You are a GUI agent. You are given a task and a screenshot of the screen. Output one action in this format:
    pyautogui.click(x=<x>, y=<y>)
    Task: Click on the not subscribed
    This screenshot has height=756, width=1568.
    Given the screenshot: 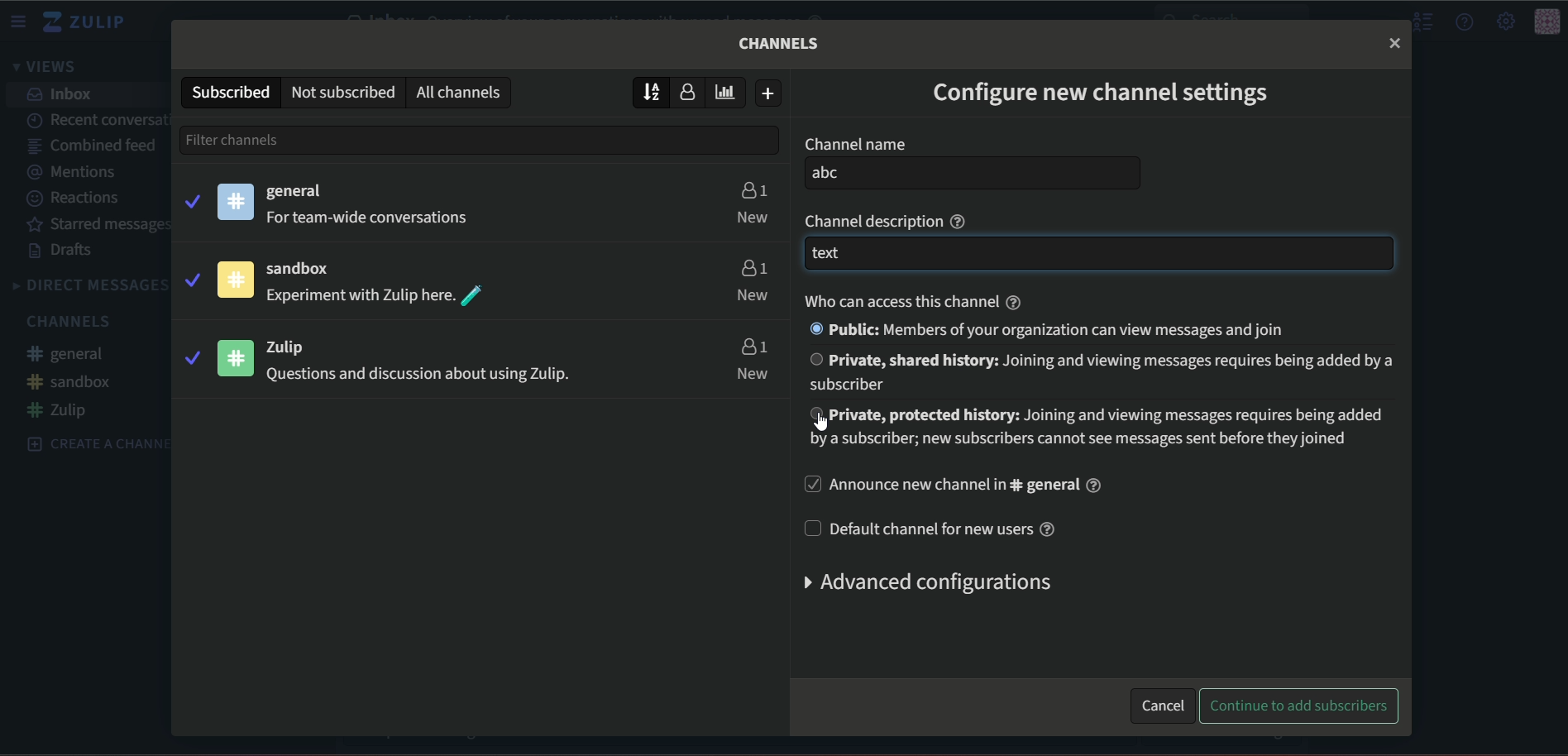 What is the action you would take?
    pyautogui.click(x=342, y=91)
    